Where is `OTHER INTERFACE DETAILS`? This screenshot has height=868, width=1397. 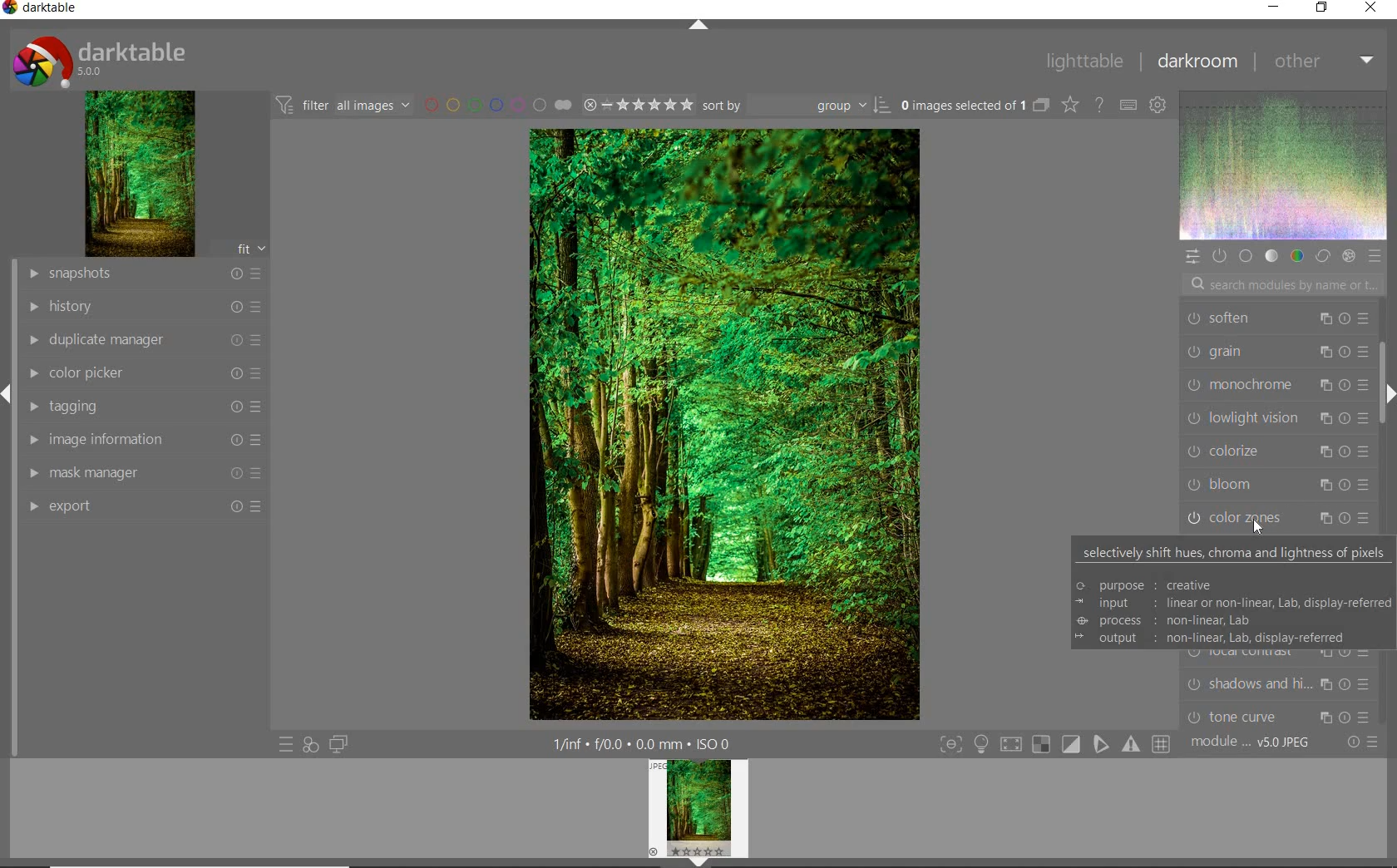
OTHER INTERFACE DETAILS is located at coordinates (641, 743).